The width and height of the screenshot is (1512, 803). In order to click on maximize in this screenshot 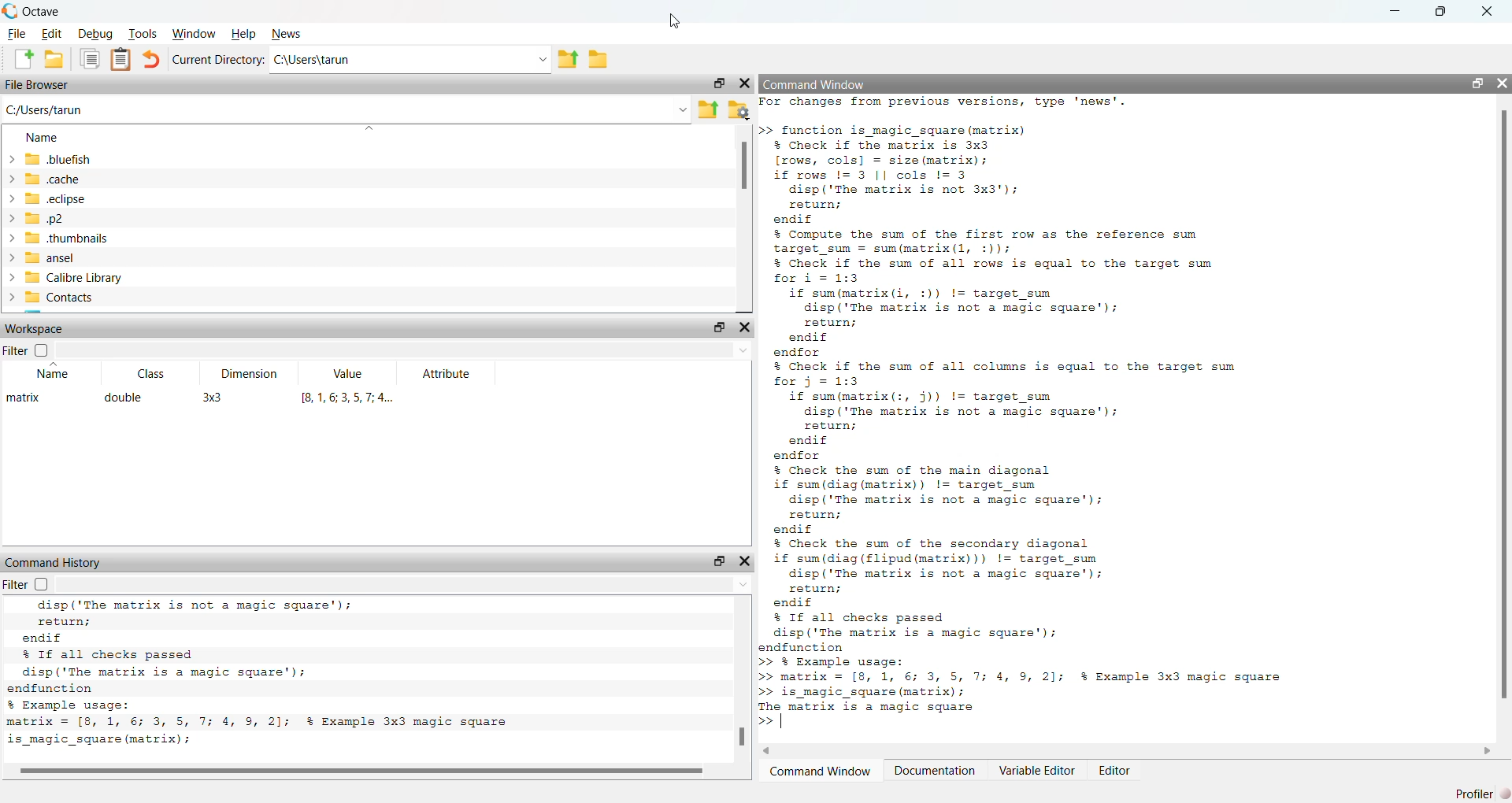, I will do `click(1477, 83)`.